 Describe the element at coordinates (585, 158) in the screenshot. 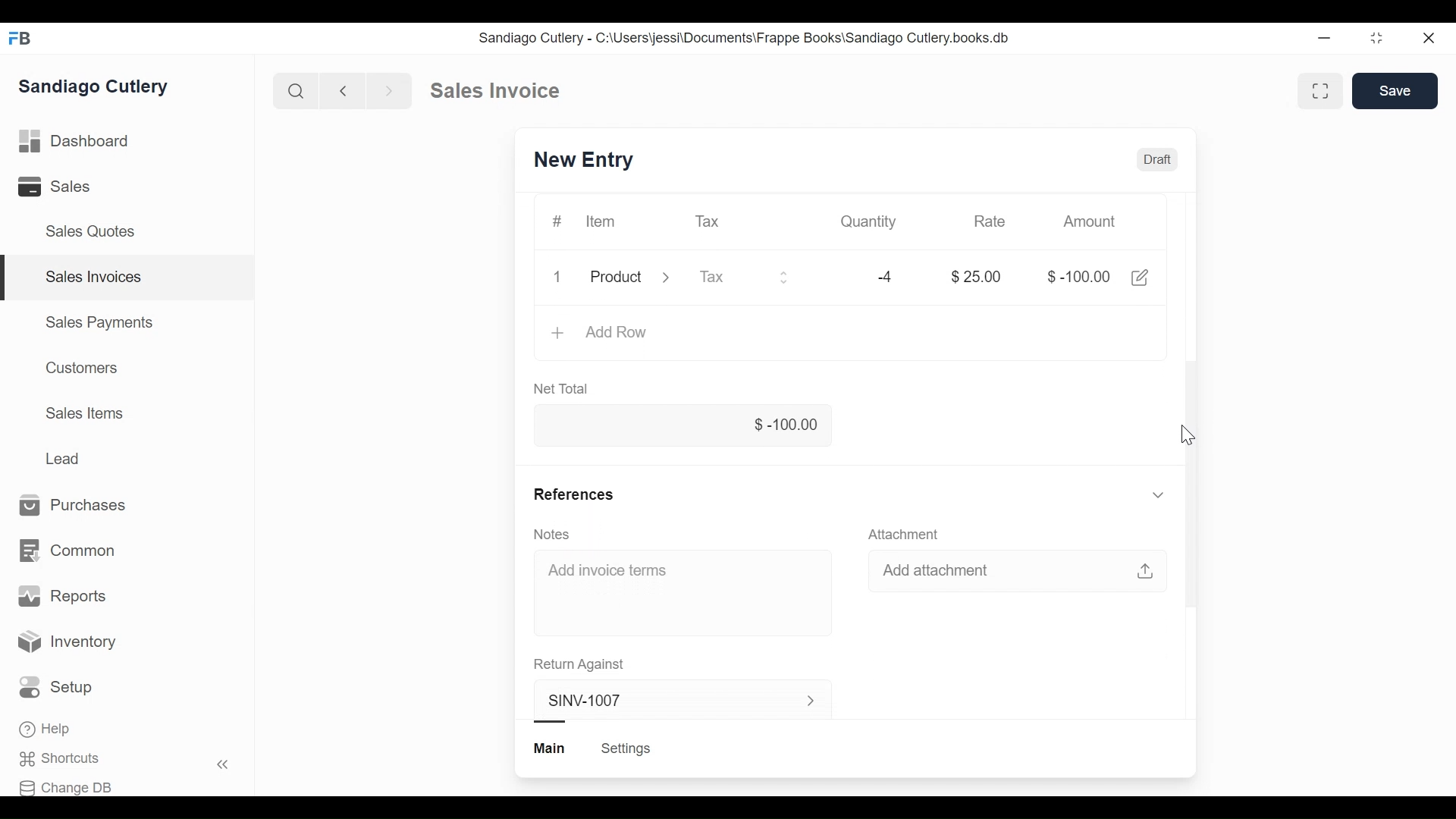

I see `SINV-1007` at that location.